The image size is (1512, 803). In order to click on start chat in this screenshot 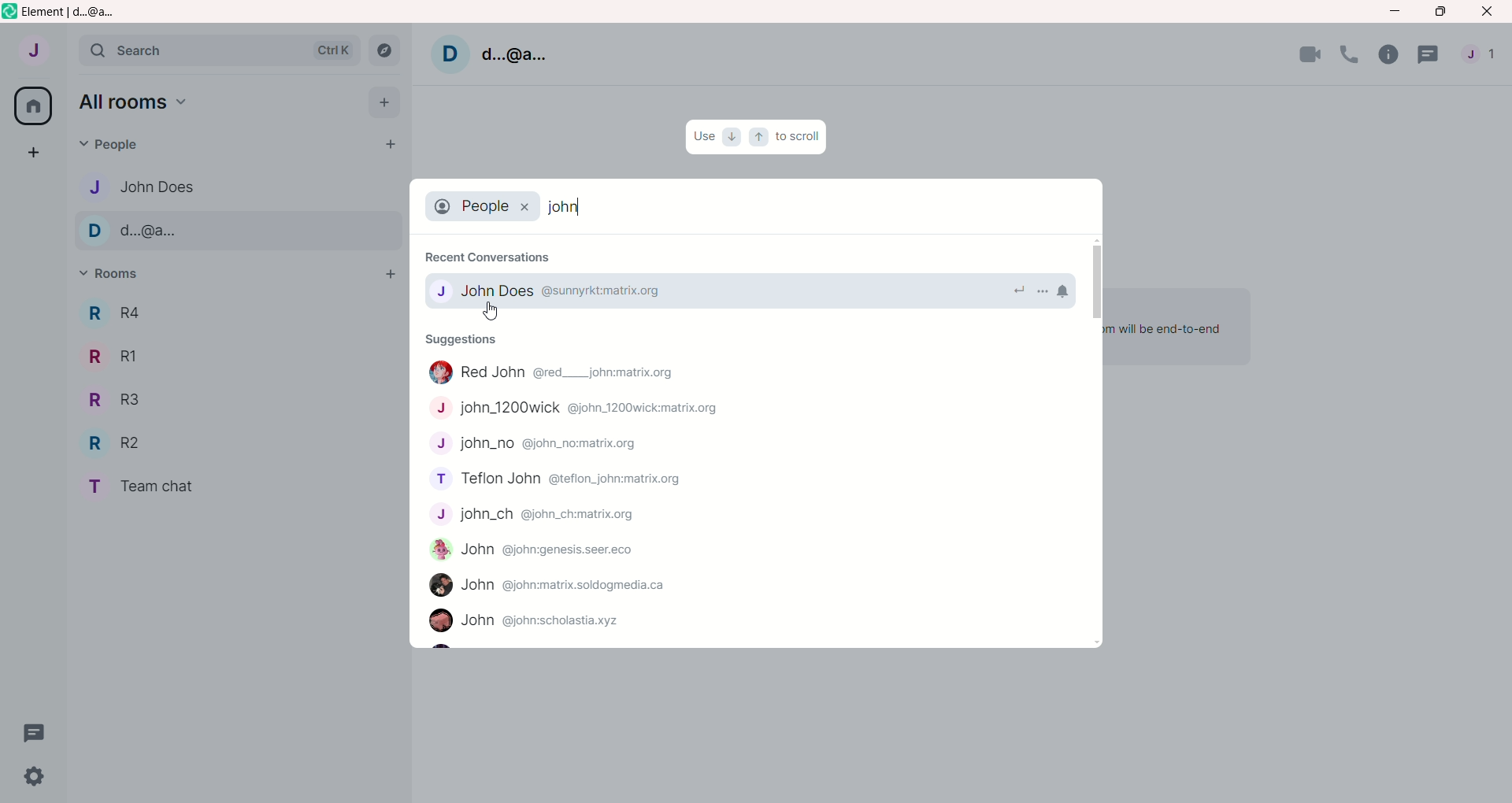, I will do `click(384, 146)`.